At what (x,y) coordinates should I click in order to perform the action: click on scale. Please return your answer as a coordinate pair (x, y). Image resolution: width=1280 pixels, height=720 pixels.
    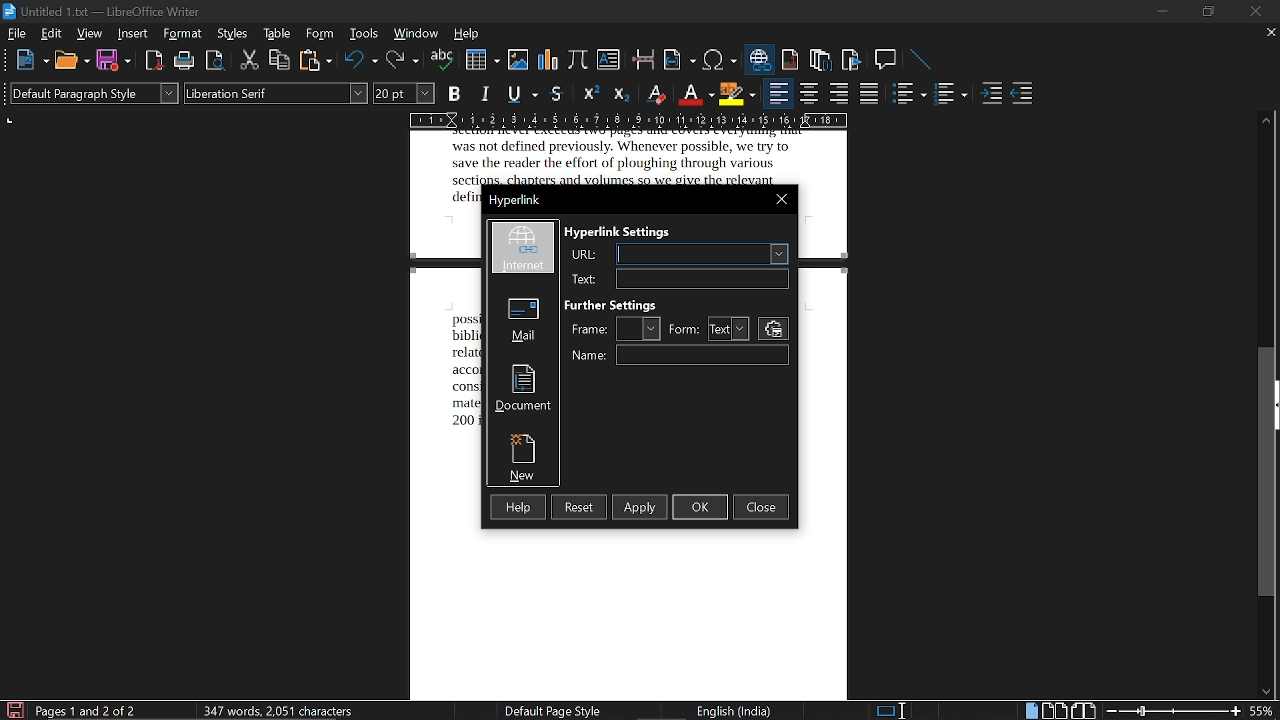
    Looking at the image, I should click on (629, 119).